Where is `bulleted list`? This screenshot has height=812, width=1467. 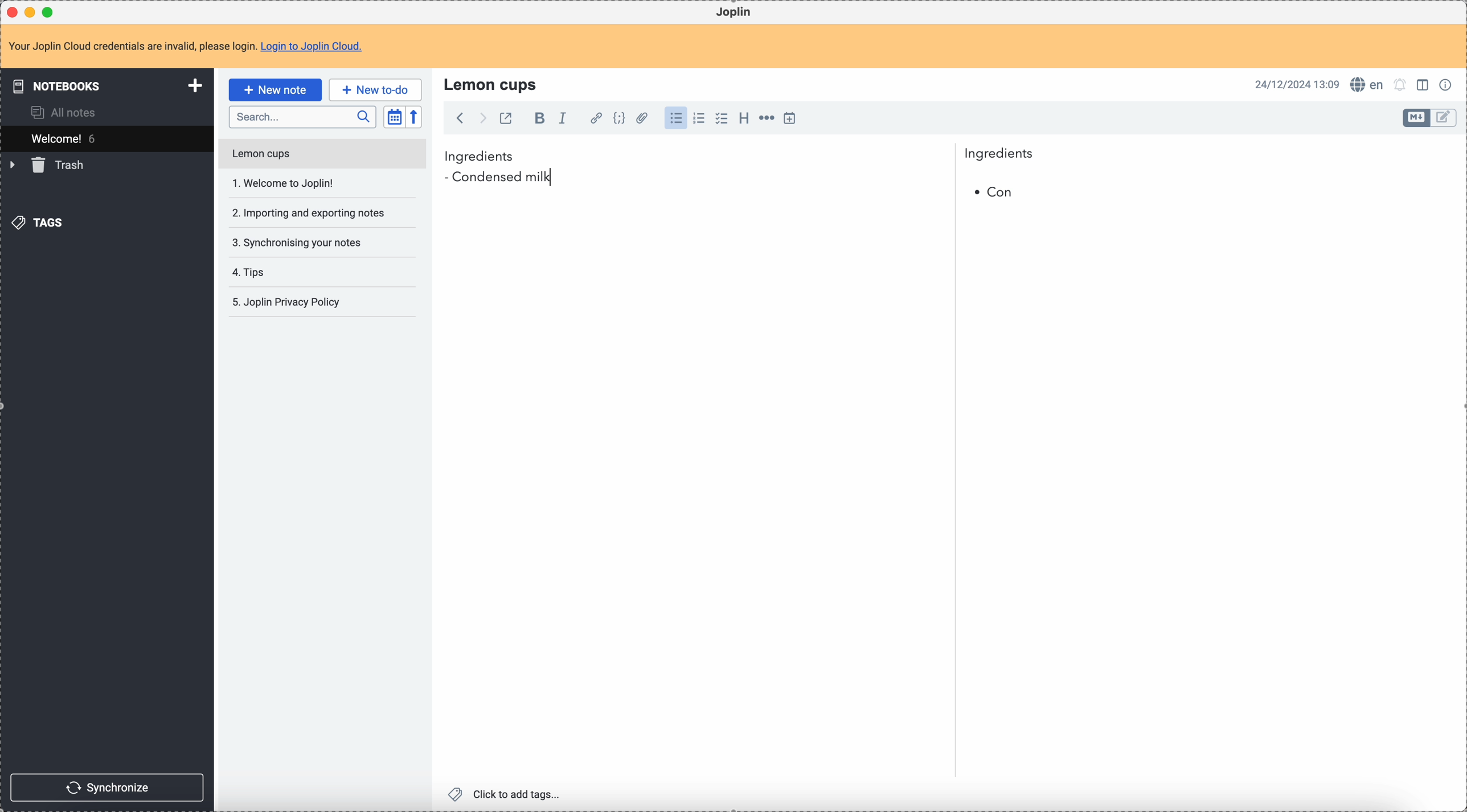
bulleted list is located at coordinates (674, 118).